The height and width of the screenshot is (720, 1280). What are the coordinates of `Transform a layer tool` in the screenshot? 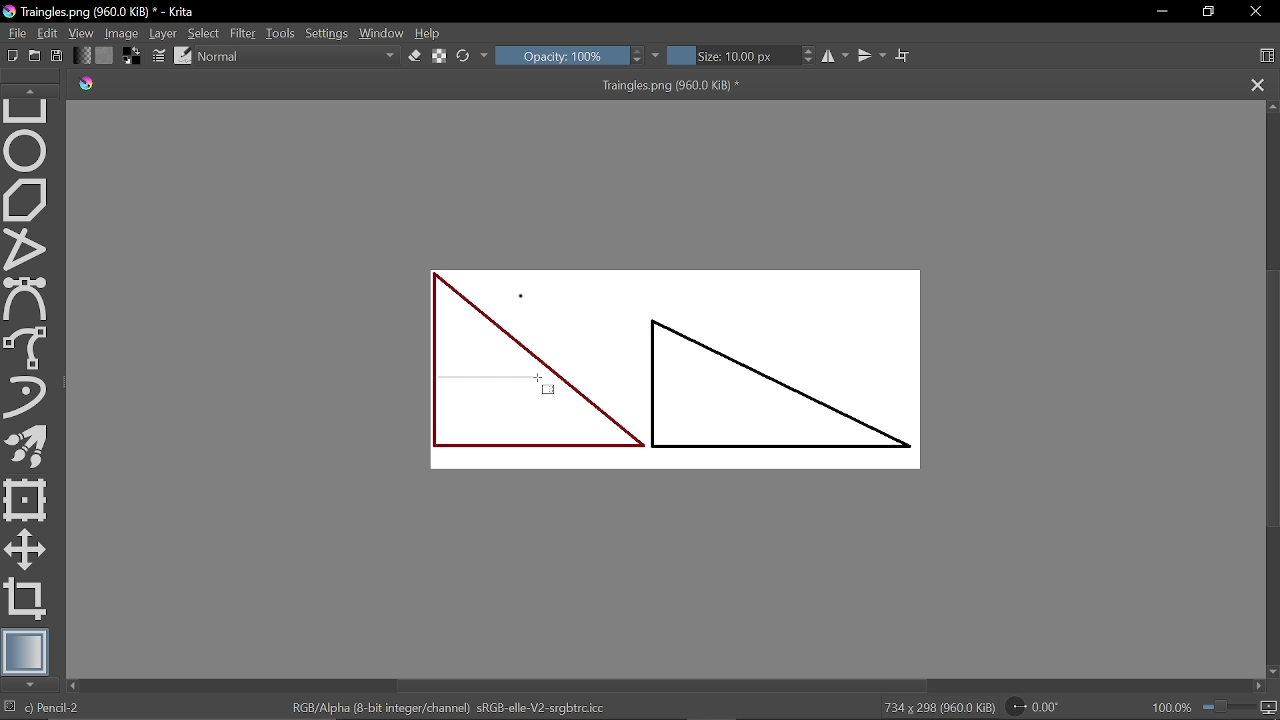 It's located at (26, 500).